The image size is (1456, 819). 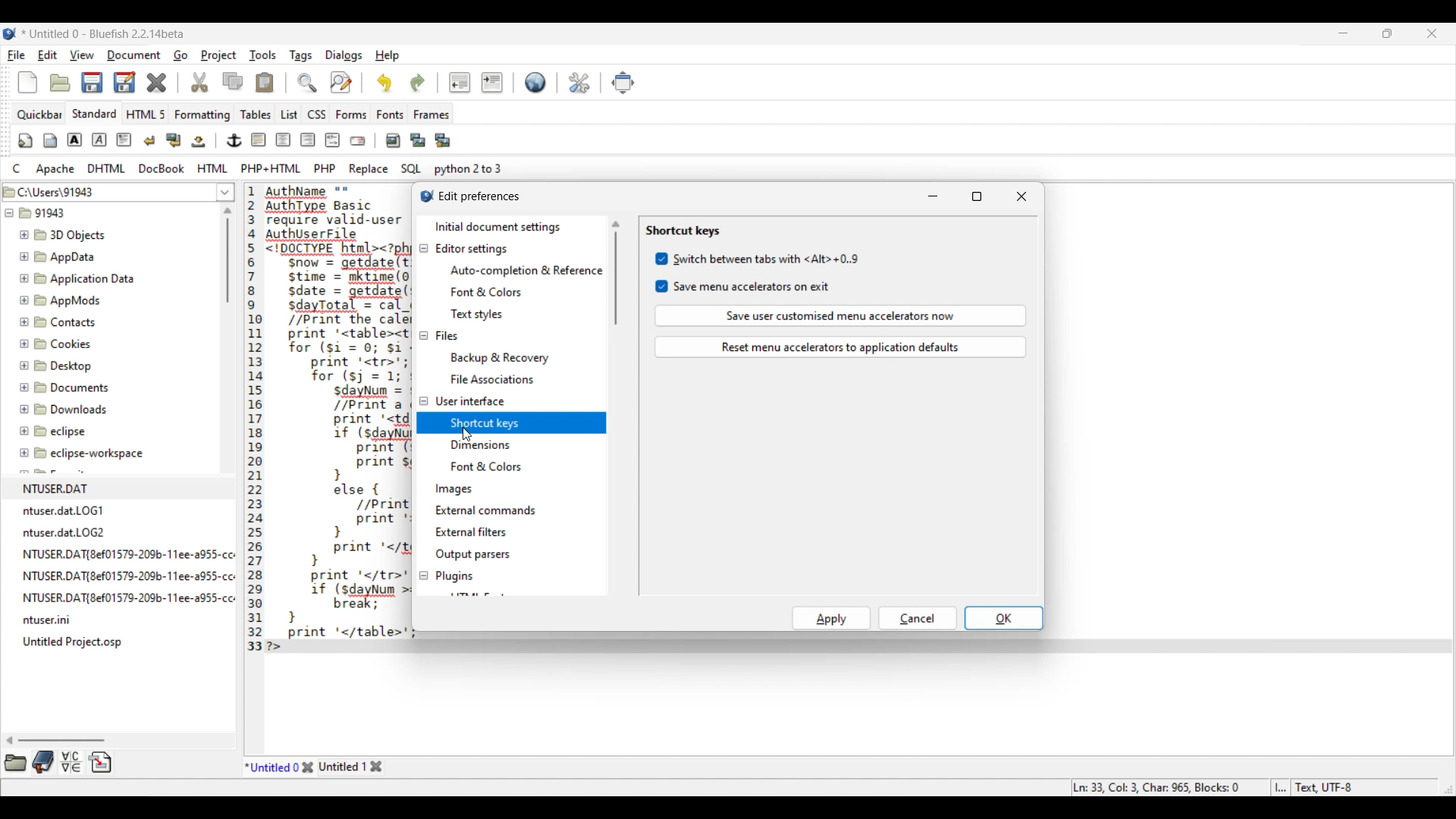 I want to click on Edit menu, so click(x=47, y=55).